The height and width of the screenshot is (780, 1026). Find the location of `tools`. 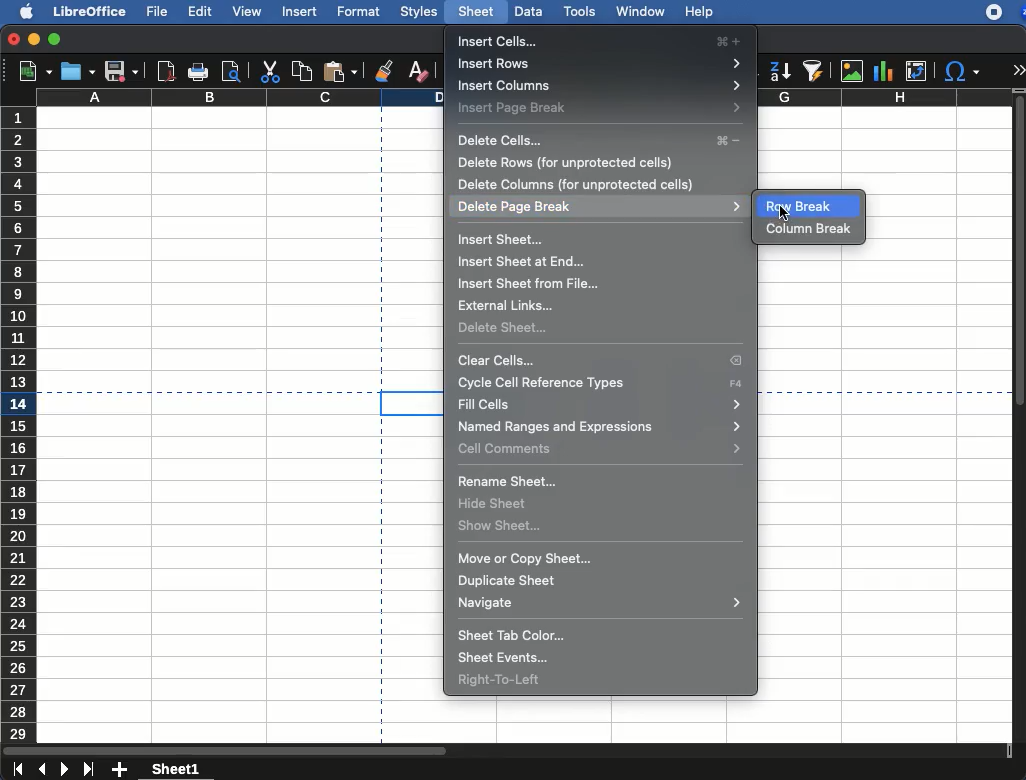

tools is located at coordinates (580, 13).